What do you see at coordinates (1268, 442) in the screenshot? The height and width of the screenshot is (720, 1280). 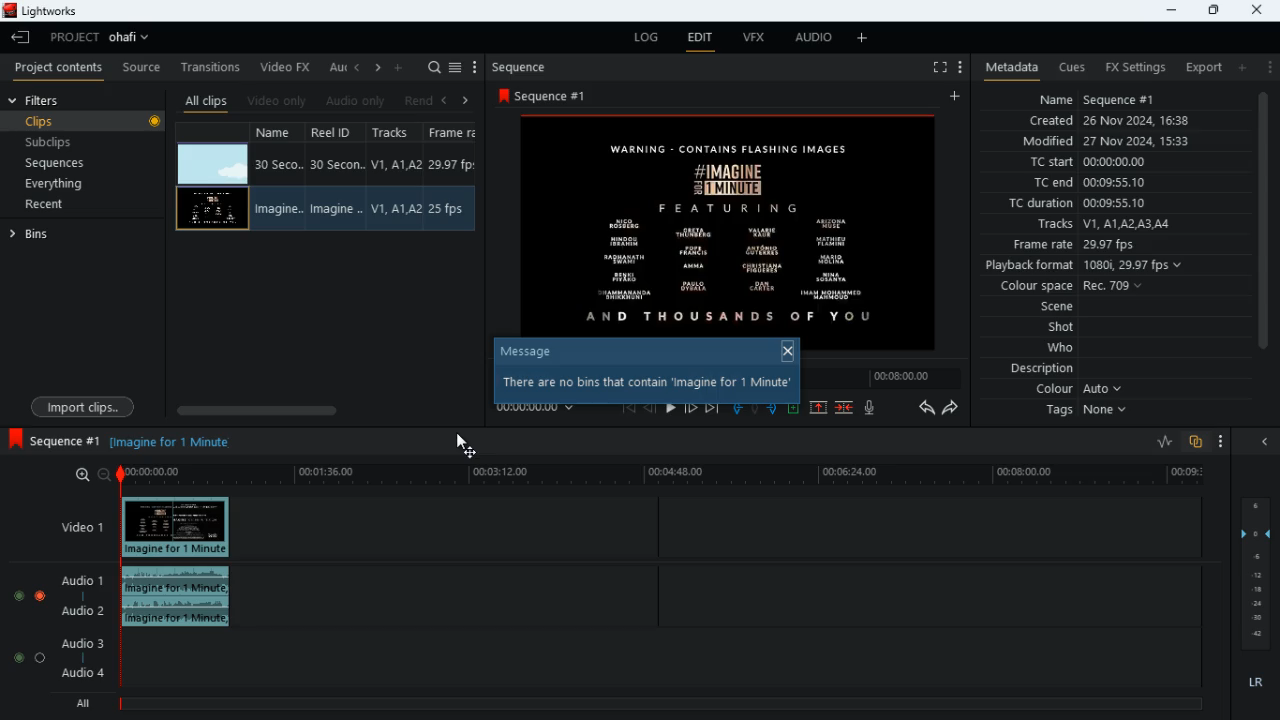 I see `close` at bounding box center [1268, 442].